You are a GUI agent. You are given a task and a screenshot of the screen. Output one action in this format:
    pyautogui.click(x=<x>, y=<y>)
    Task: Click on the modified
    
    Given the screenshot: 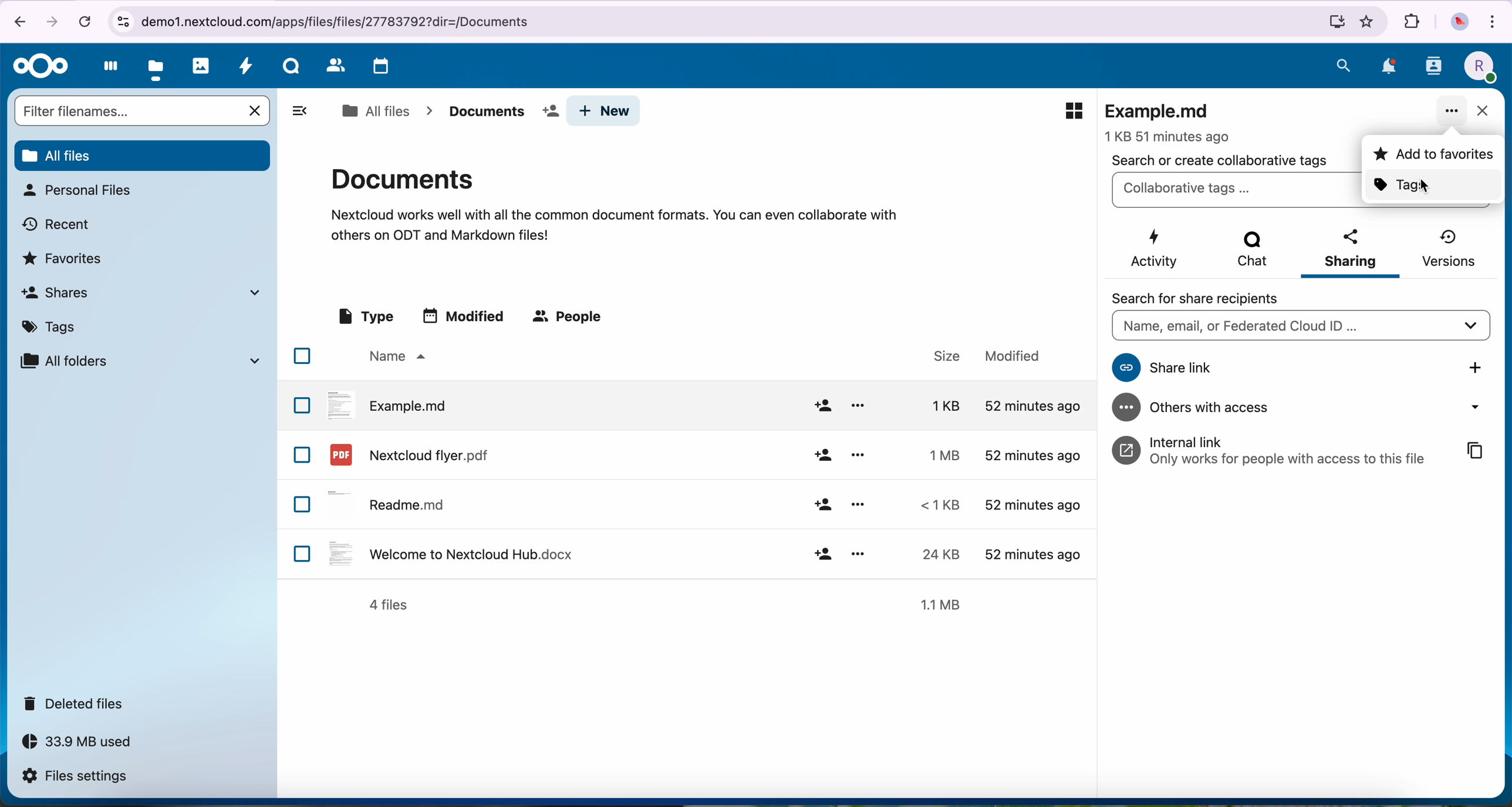 What is the action you would take?
    pyautogui.click(x=466, y=315)
    